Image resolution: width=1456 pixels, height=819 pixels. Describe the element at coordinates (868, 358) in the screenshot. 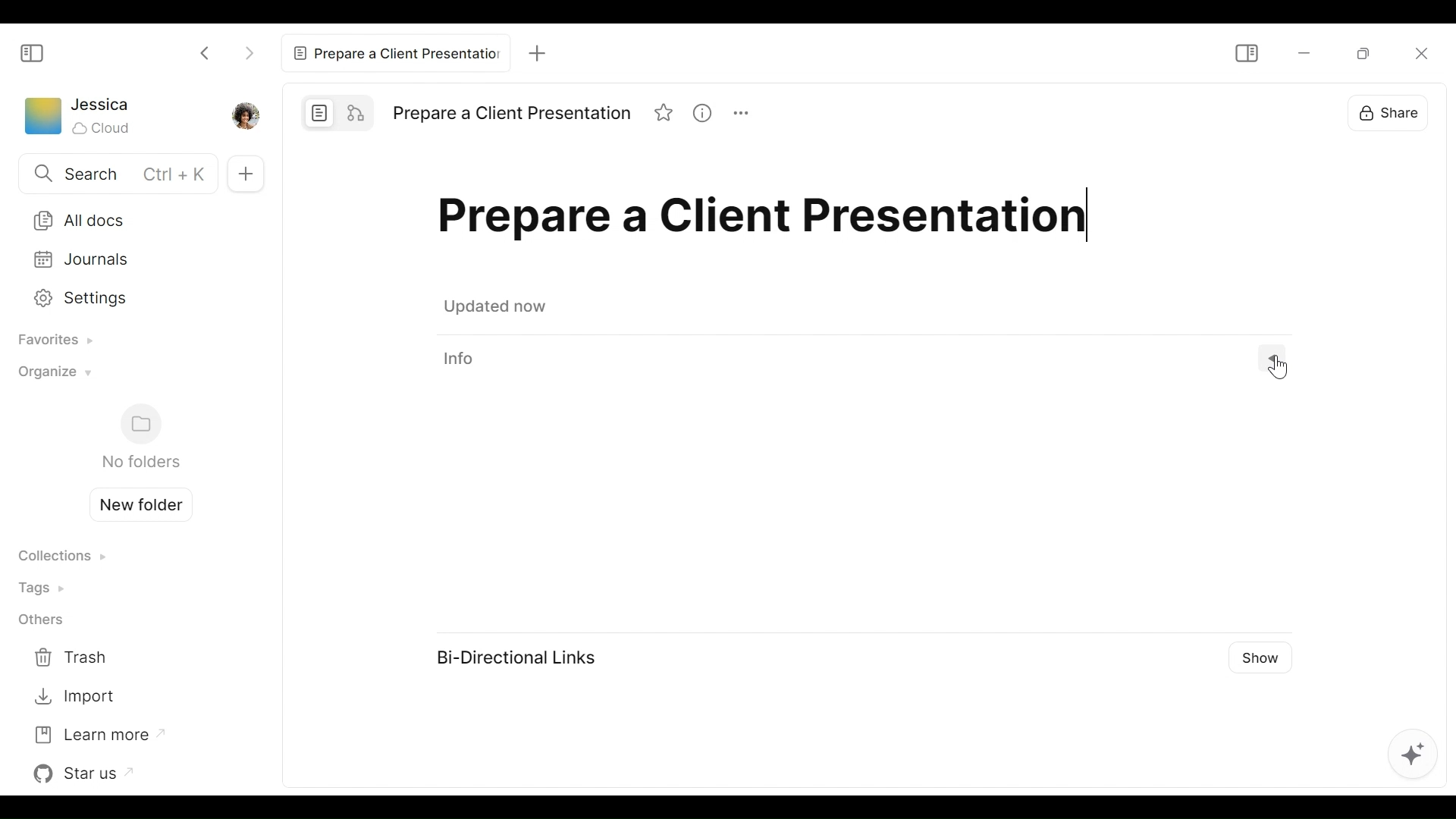

I see `View Information` at that location.